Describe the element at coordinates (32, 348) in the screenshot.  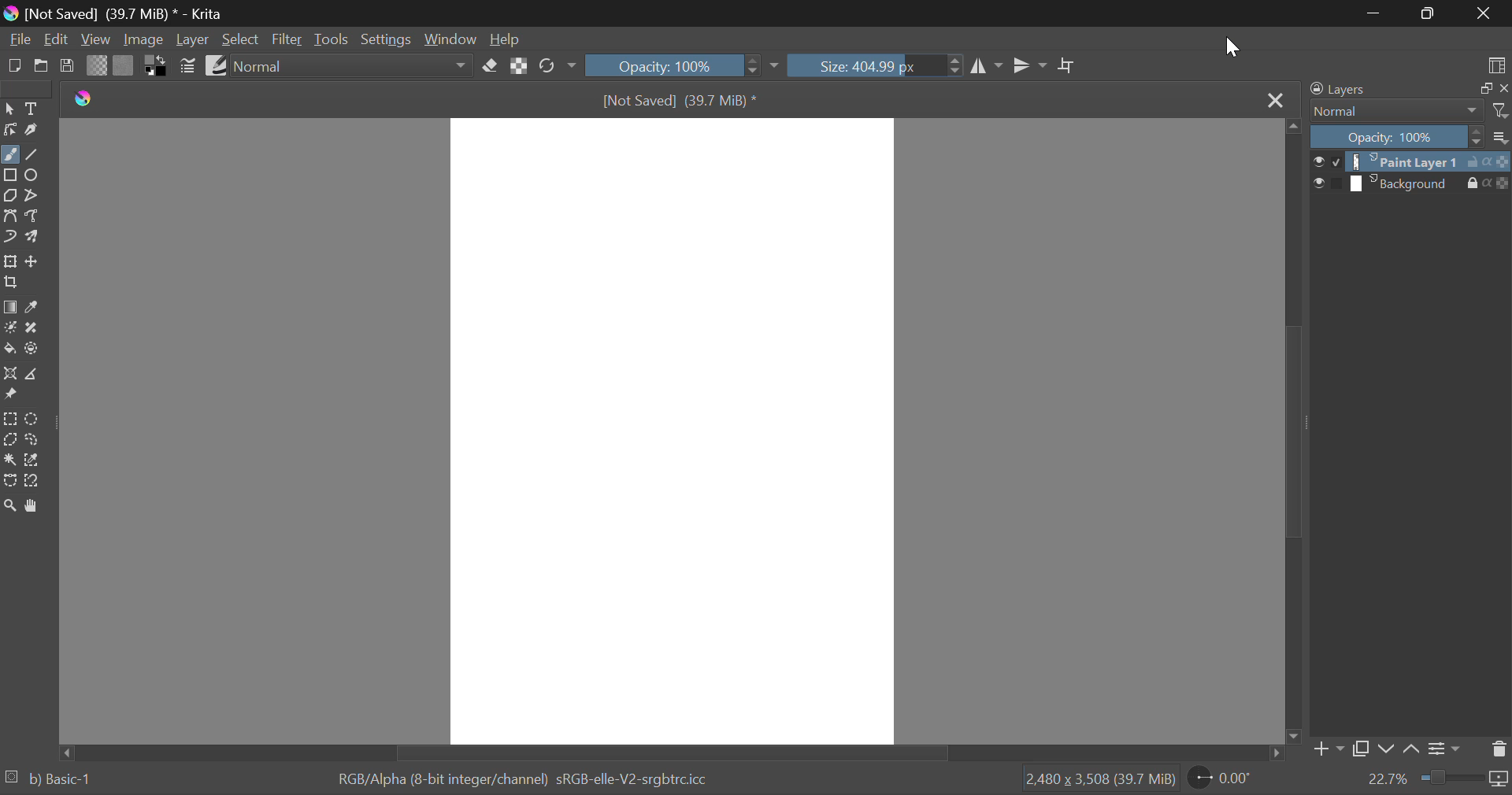
I see `Enclose & Fill` at that location.